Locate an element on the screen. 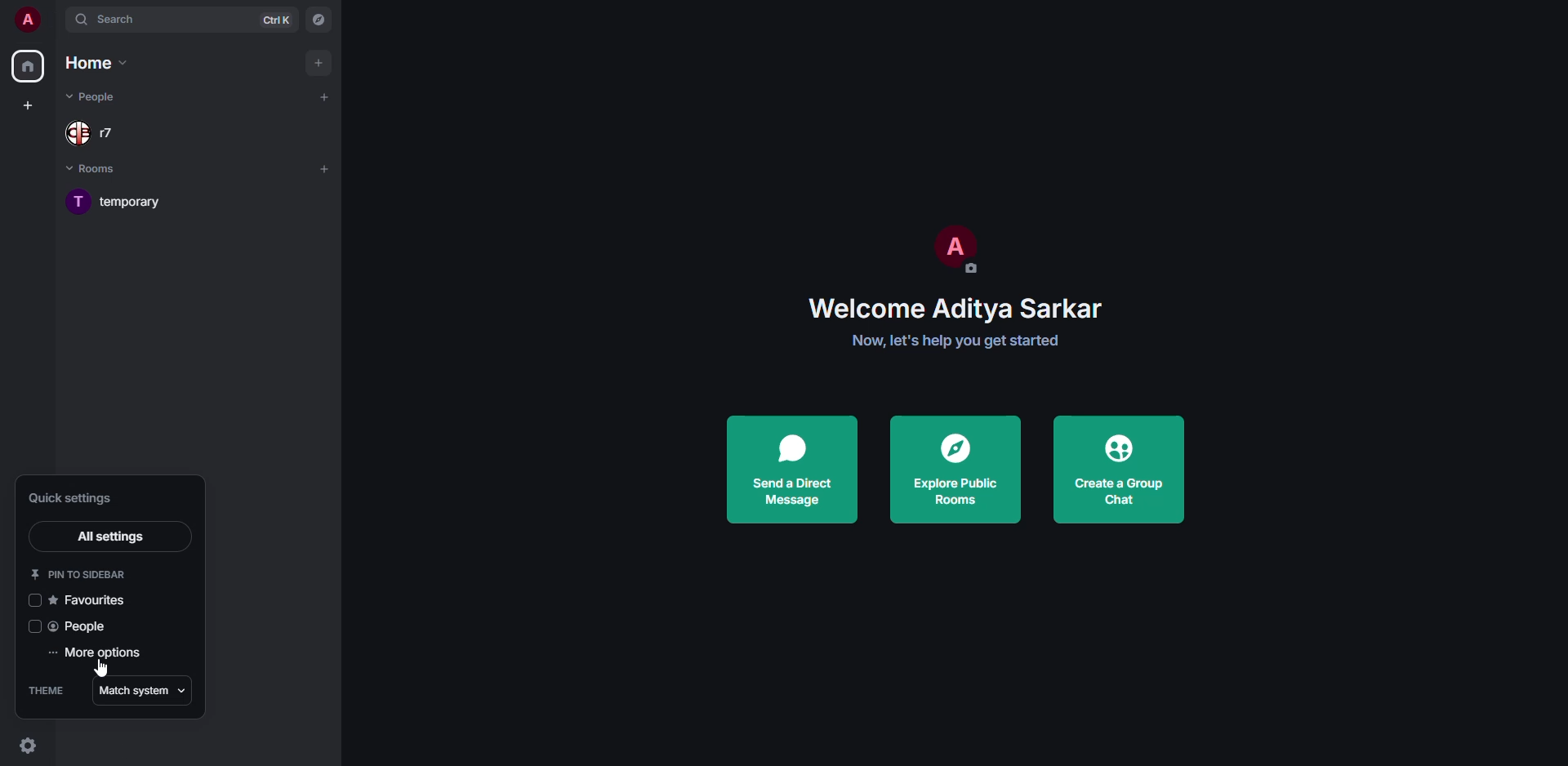  theme is located at coordinates (47, 691).